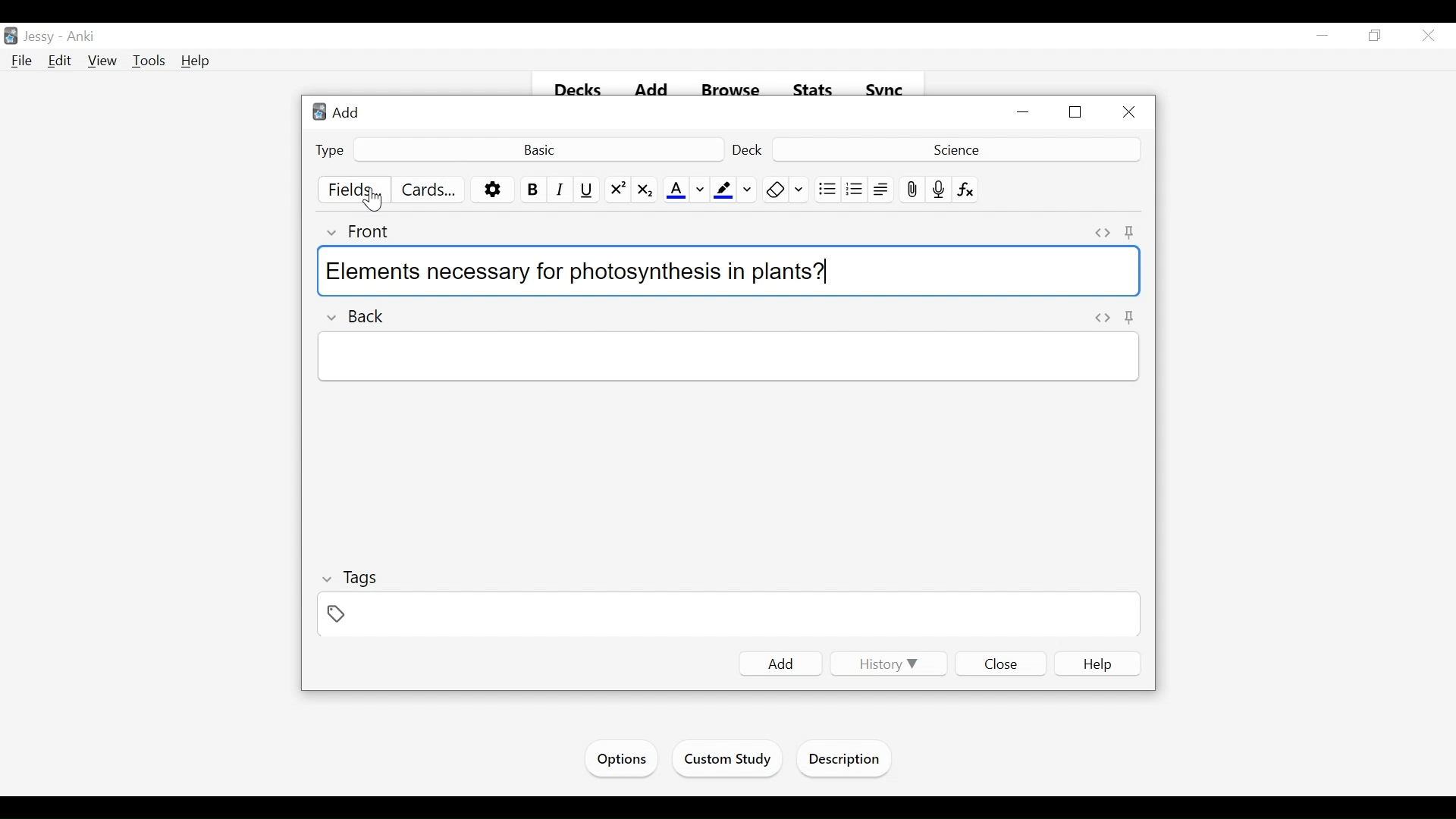 This screenshot has width=1456, height=819. Describe the element at coordinates (966, 190) in the screenshot. I see `Equation` at that location.